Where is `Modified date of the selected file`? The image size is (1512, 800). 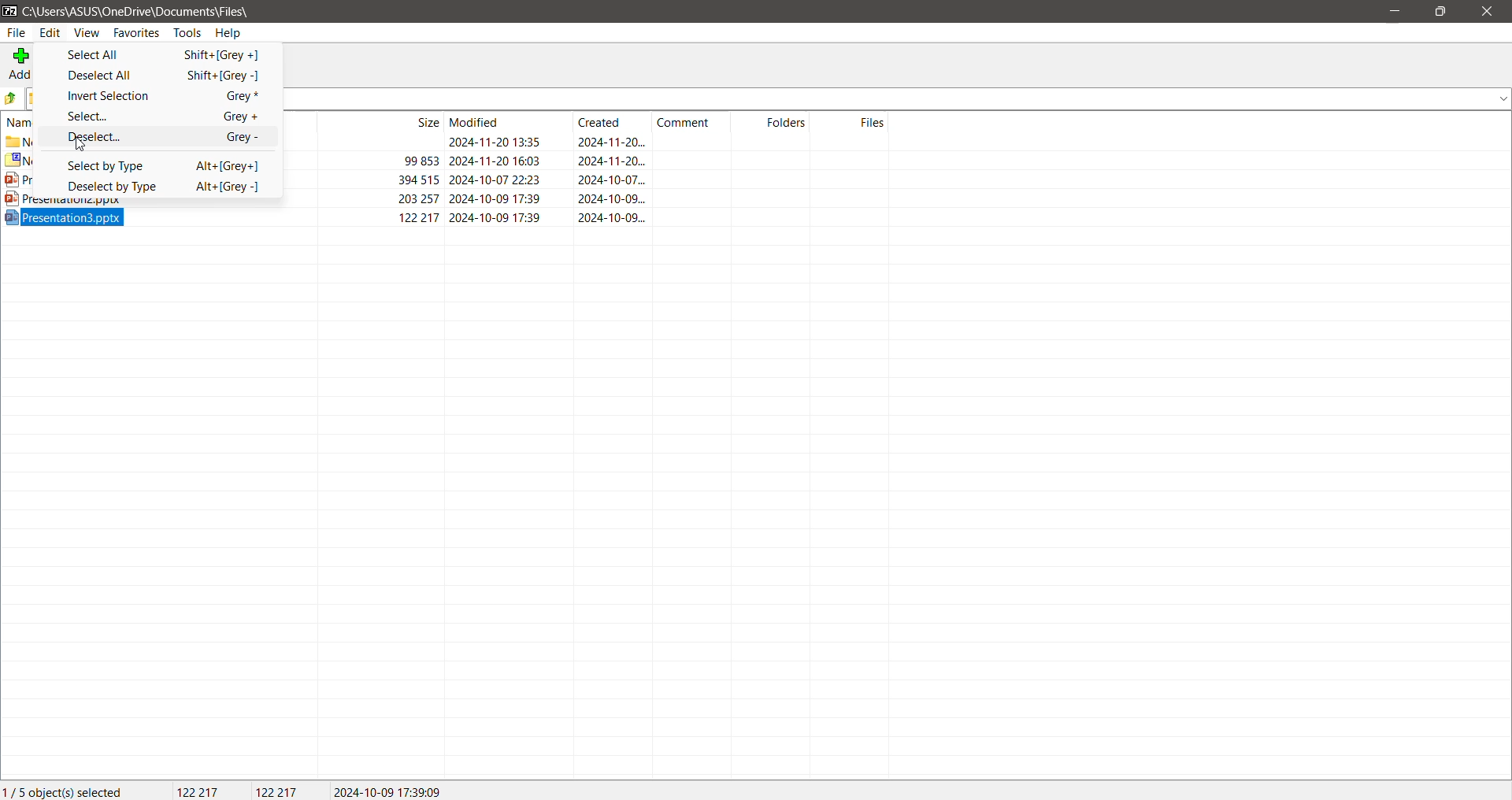
Modified date of the selected file is located at coordinates (395, 791).